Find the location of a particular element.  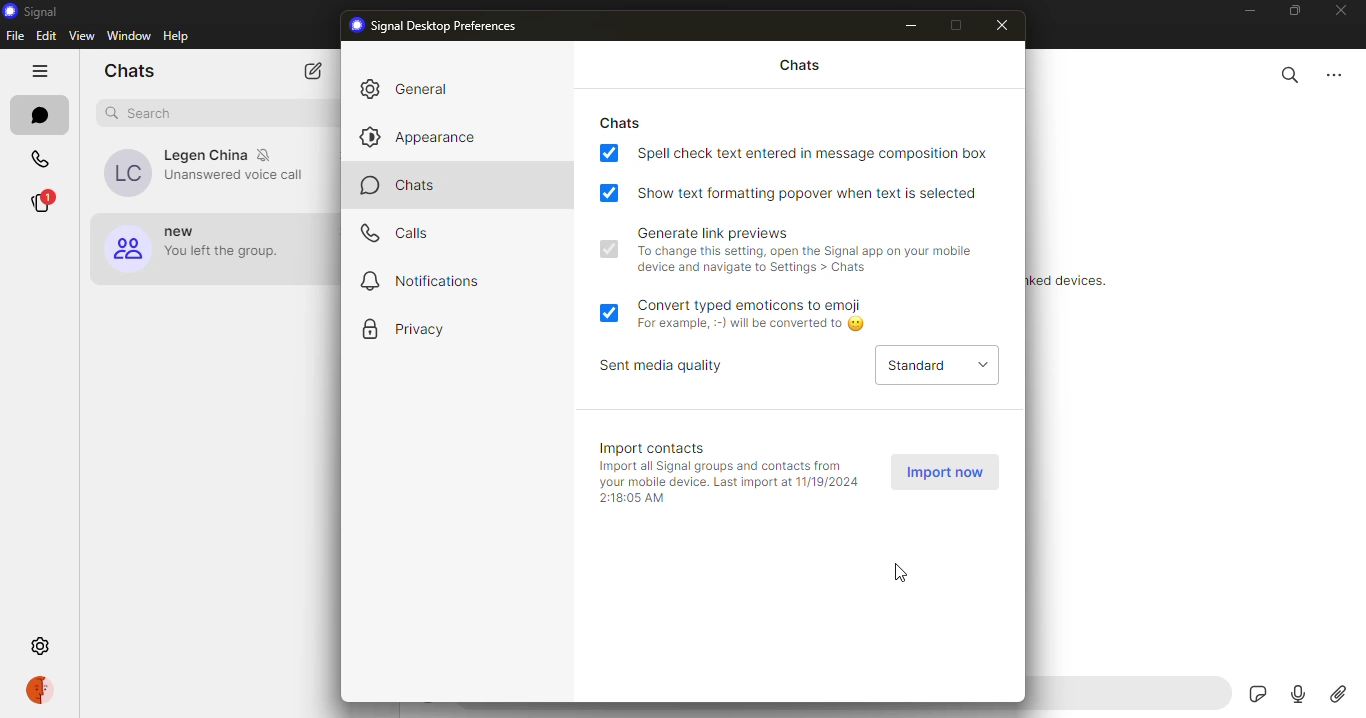

notifications is located at coordinates (428, 279).